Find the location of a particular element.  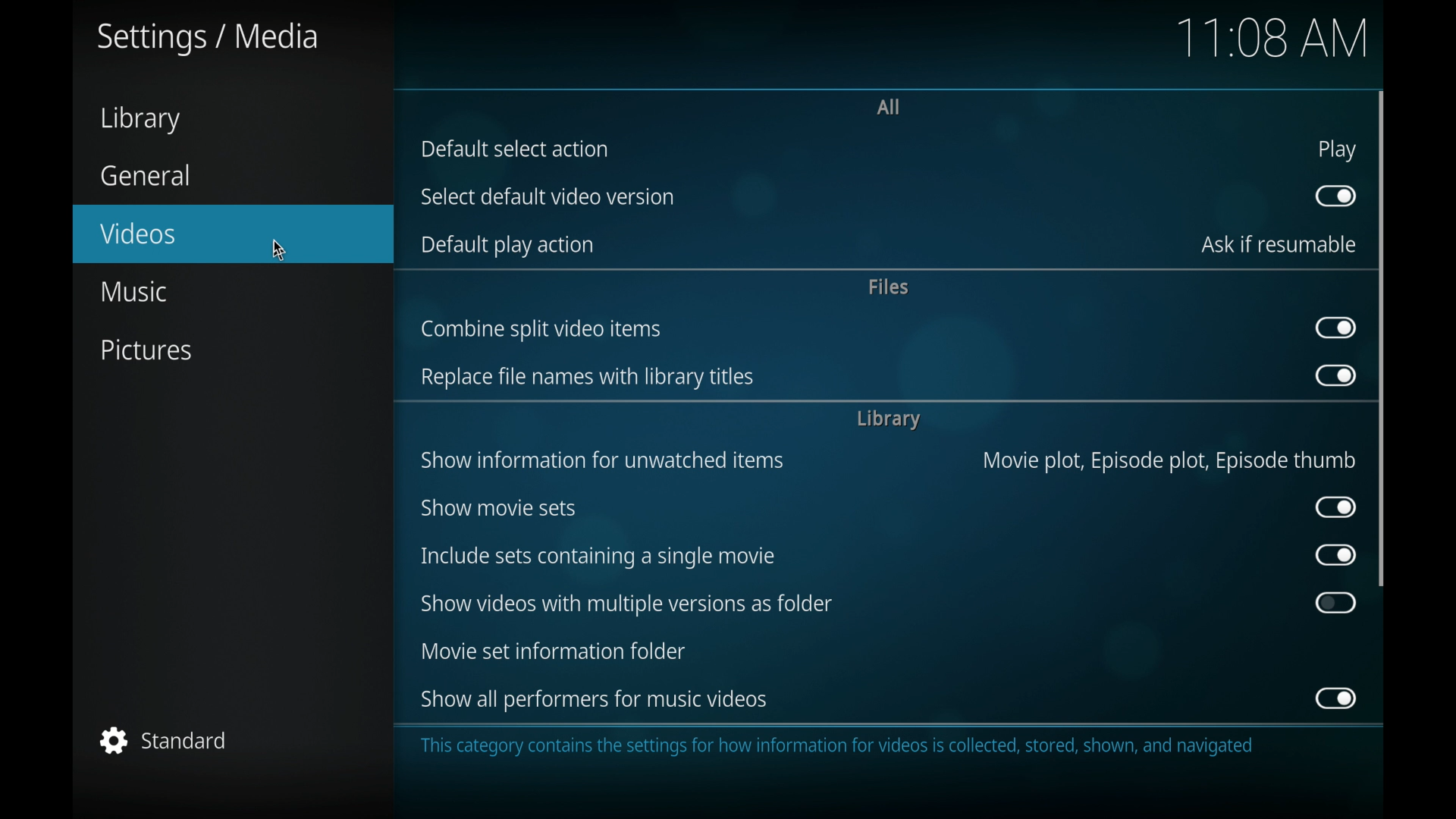

default select action is located at coordinates (516, 149).